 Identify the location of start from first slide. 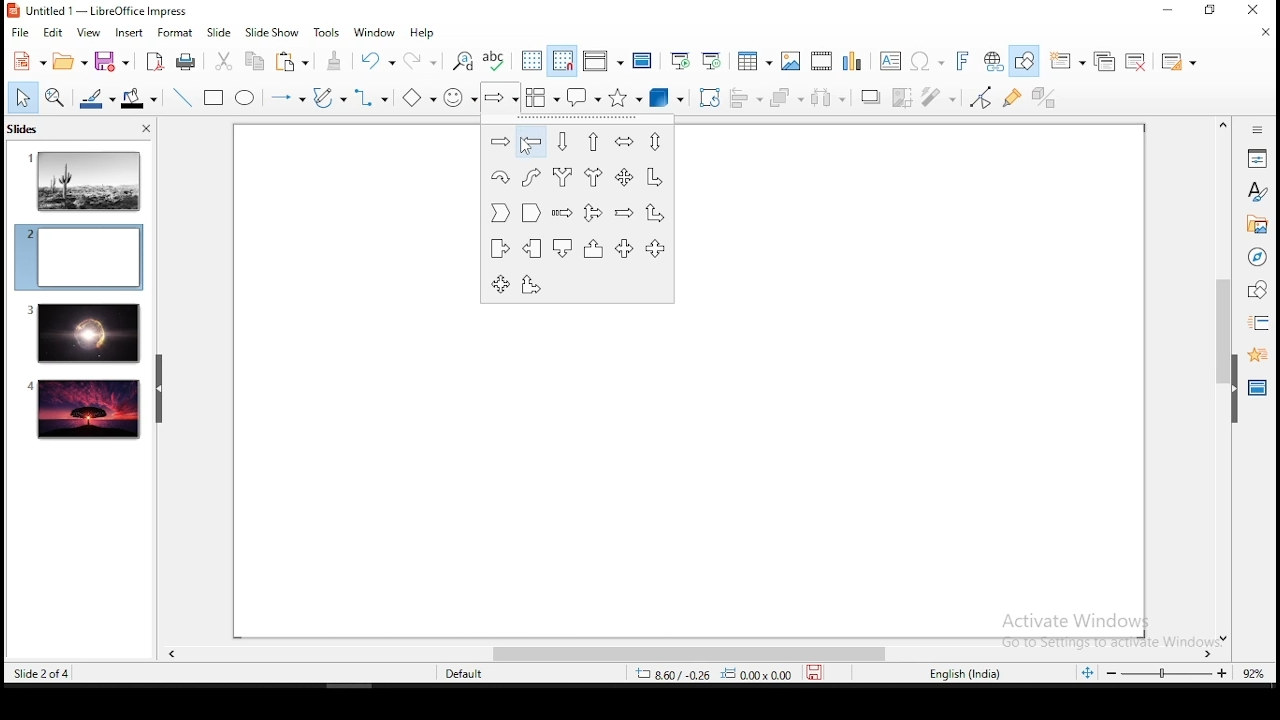
(680, 61).